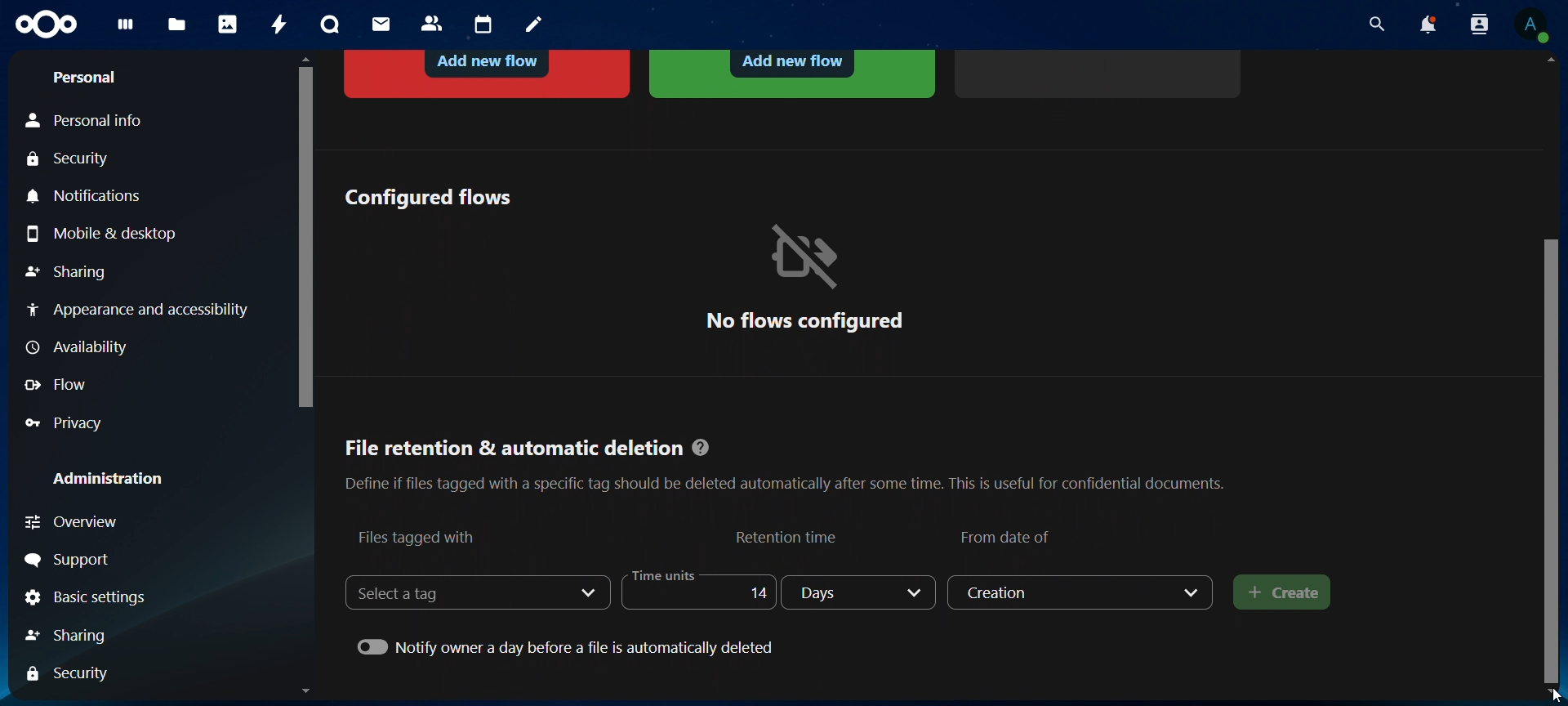 The image size is (1568, 706). Describe the element at coordinates (1427, 25) in the screenshot. I see `notifications` at that location.